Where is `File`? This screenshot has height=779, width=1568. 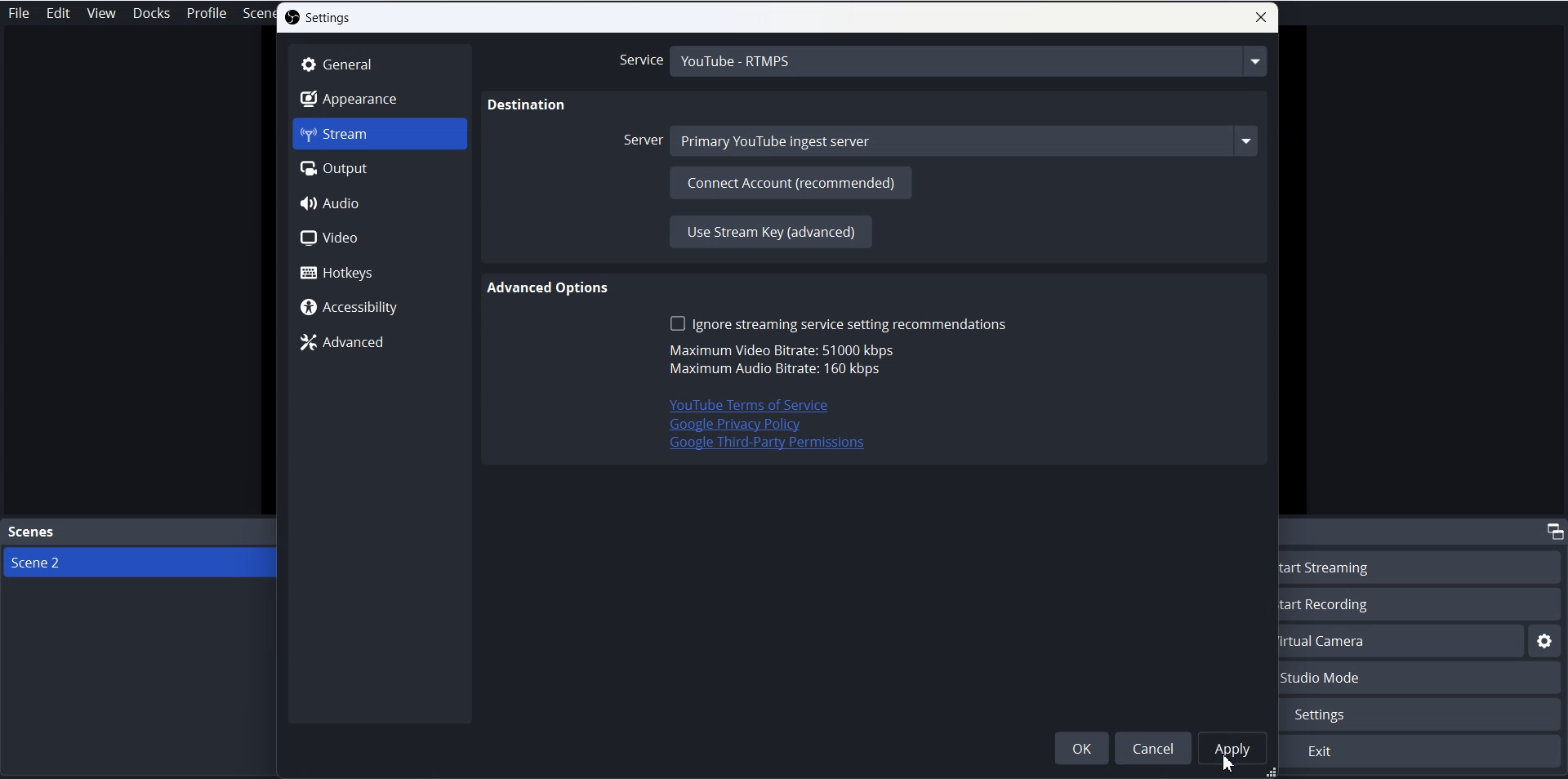 File is located at coordinates (21, 12).